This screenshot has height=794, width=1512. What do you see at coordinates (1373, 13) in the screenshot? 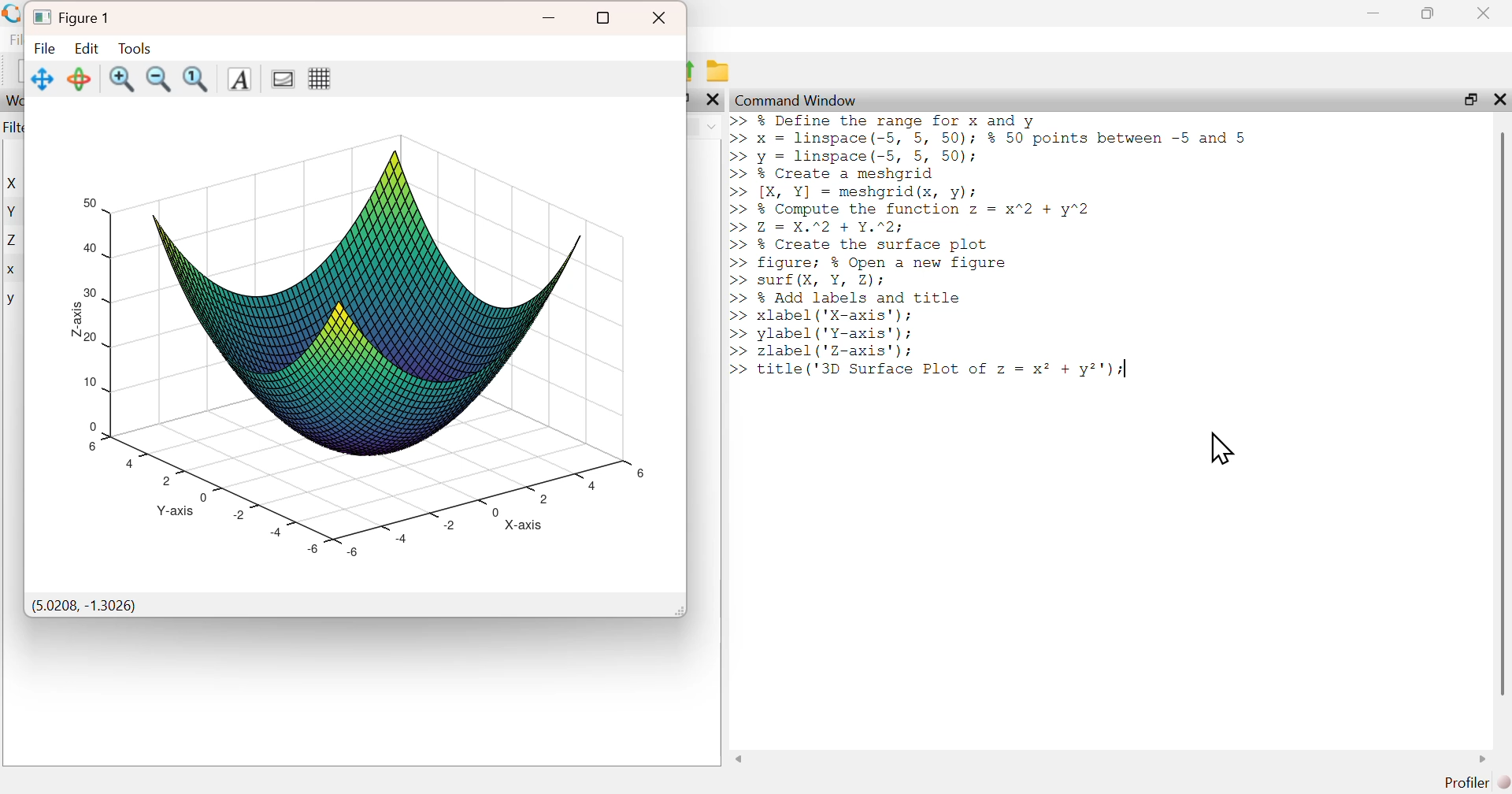
I see `minimize` at bounding box center [1373, 13].